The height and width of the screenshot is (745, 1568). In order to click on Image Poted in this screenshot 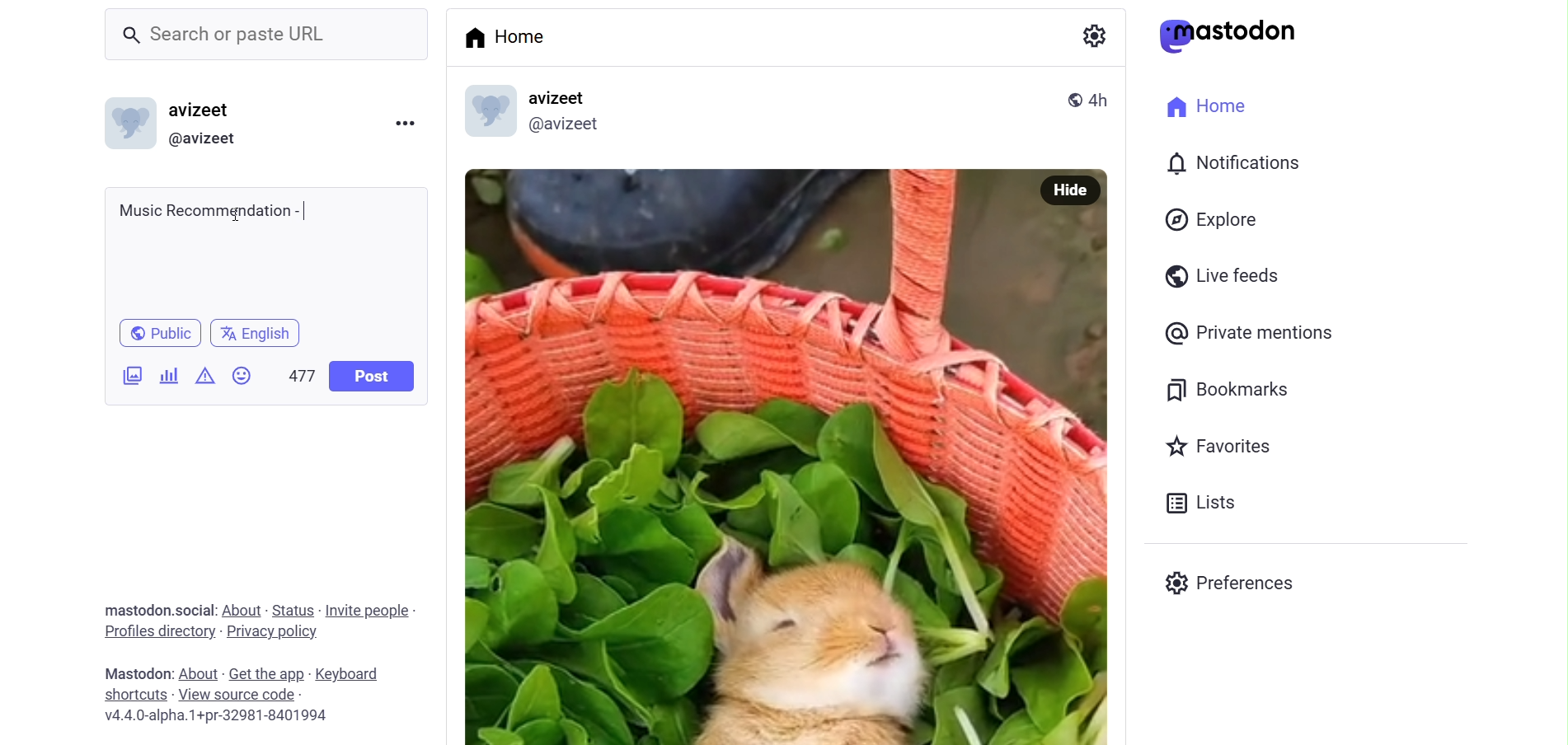, I will do `click(749, 457)`.